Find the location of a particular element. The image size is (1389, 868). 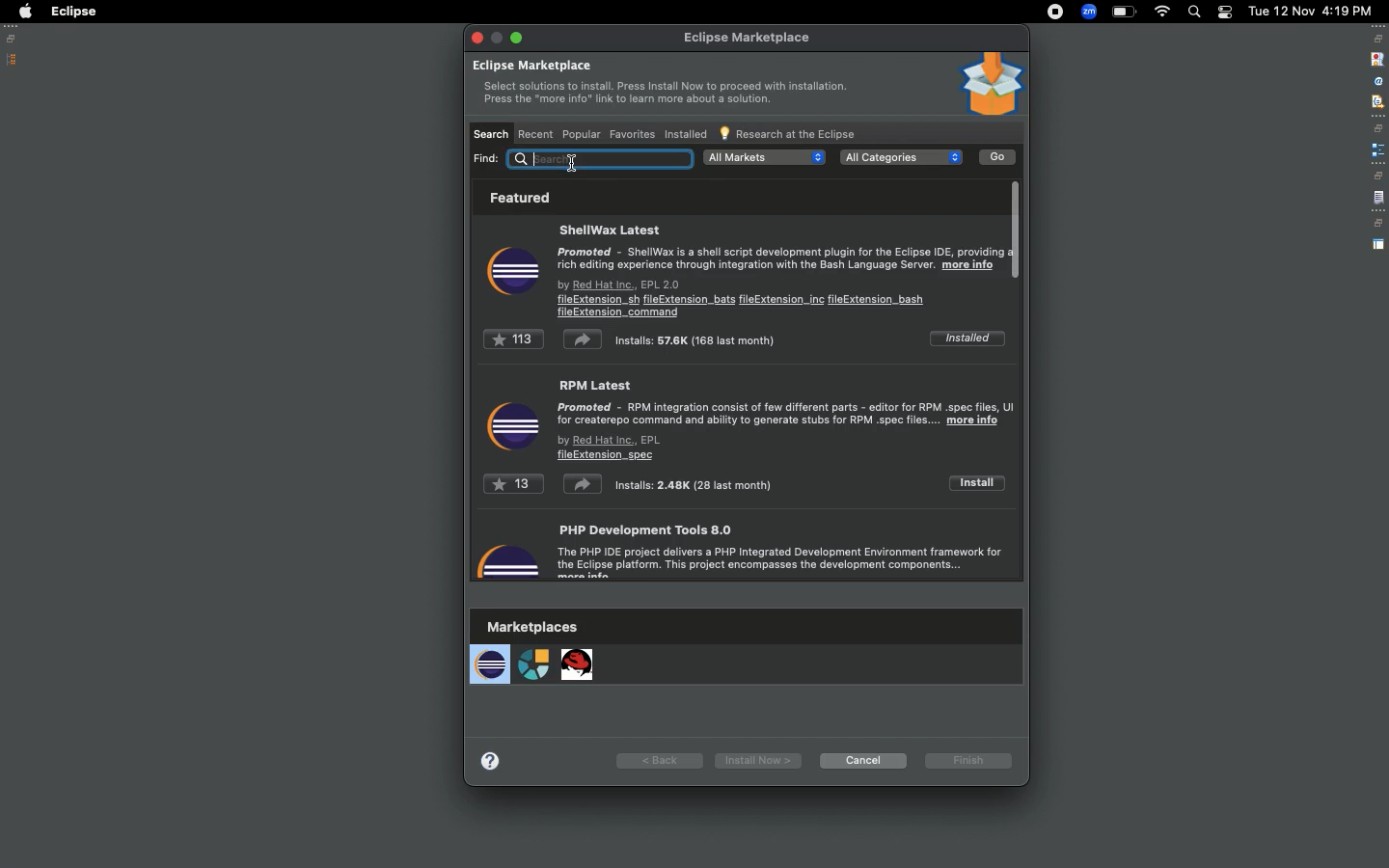

close is located at coordinates (477, 37).